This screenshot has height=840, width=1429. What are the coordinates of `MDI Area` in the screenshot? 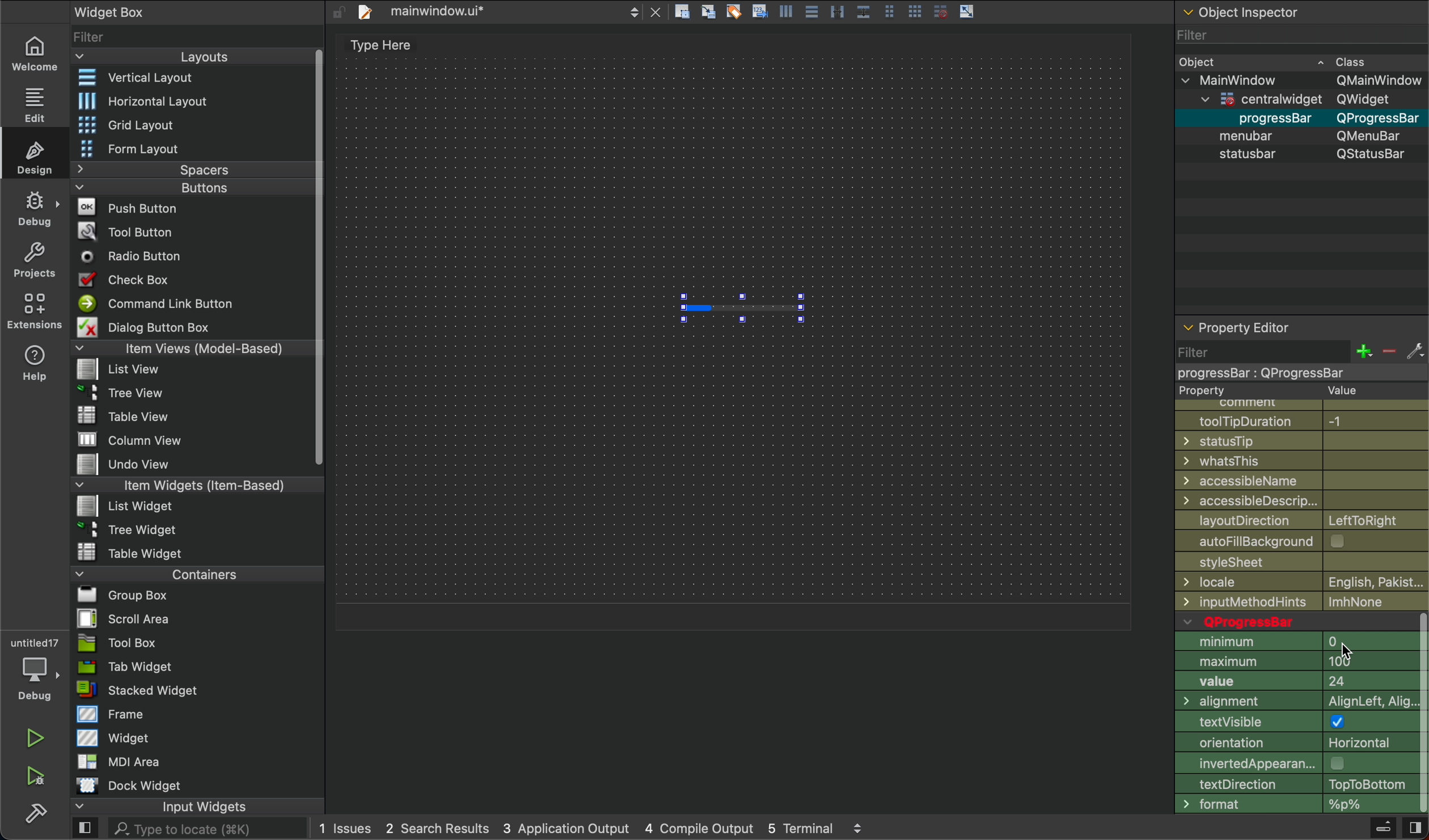 It's located at (116, 761).